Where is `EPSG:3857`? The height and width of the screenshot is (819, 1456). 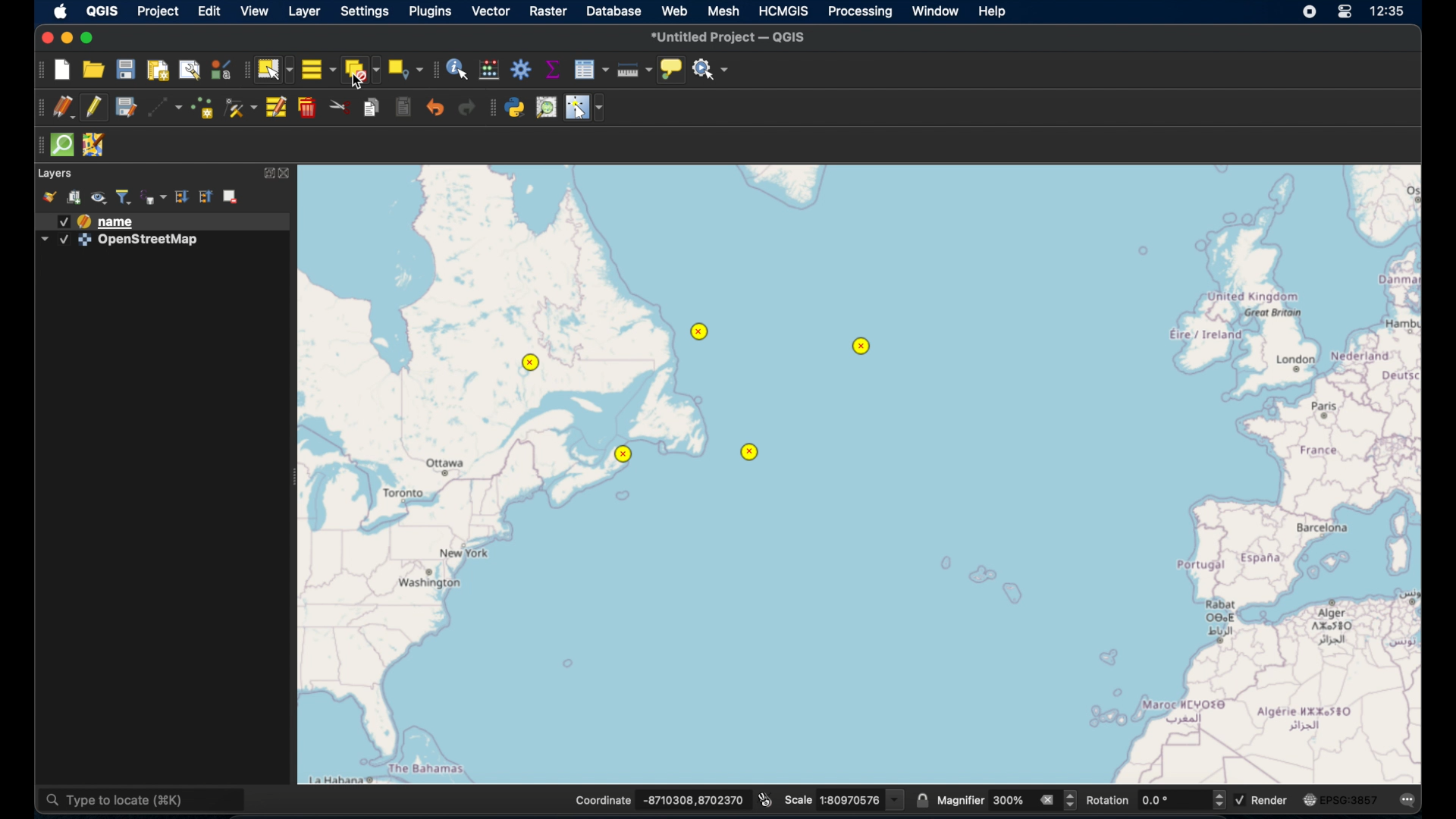 EPSG:3857 is located at coordinates (1351, 799).